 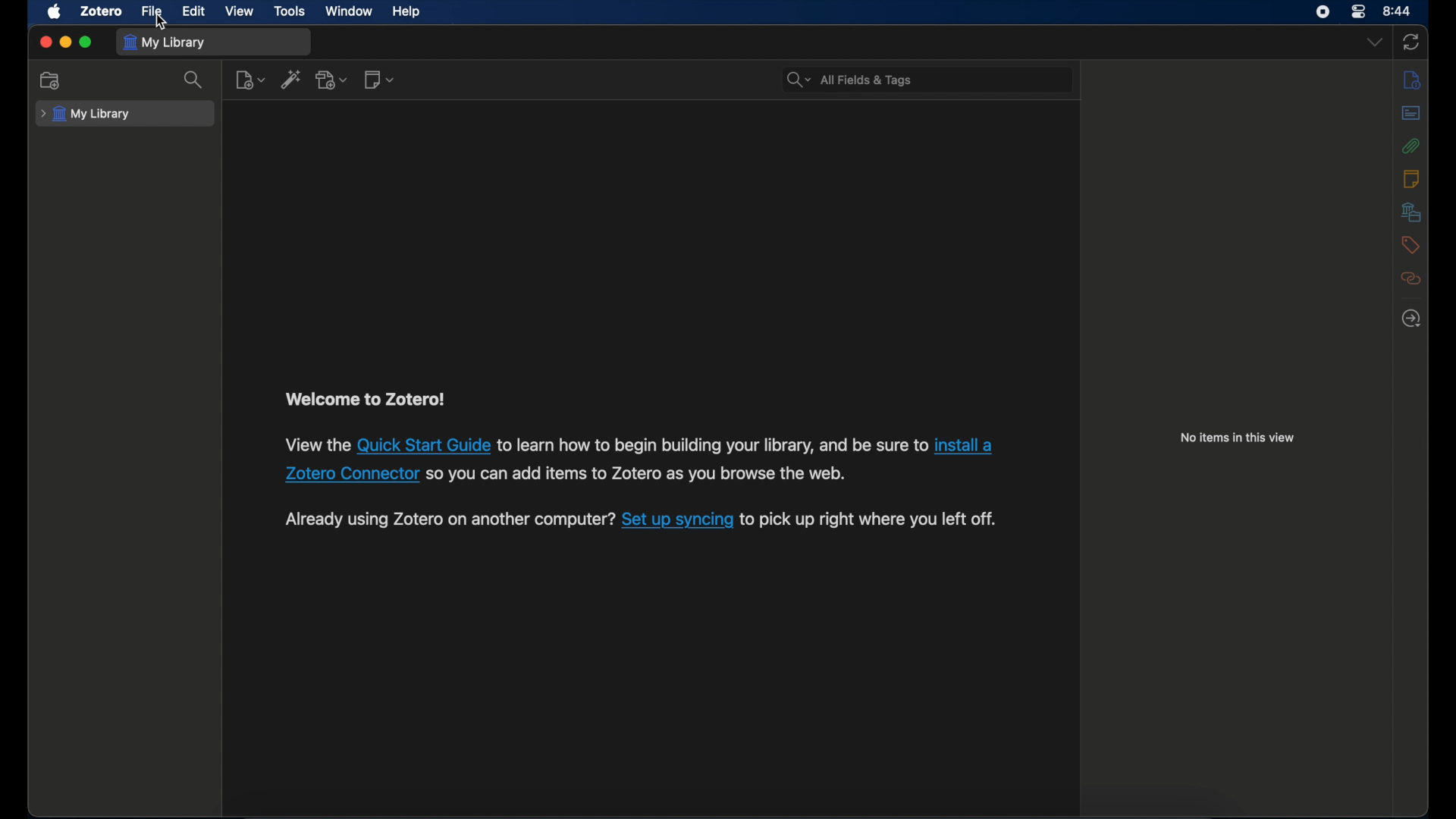 What do you see at coordinates (1411, 212) in the screenshot?
I see `libraries` at bounding box center [1411, 212].